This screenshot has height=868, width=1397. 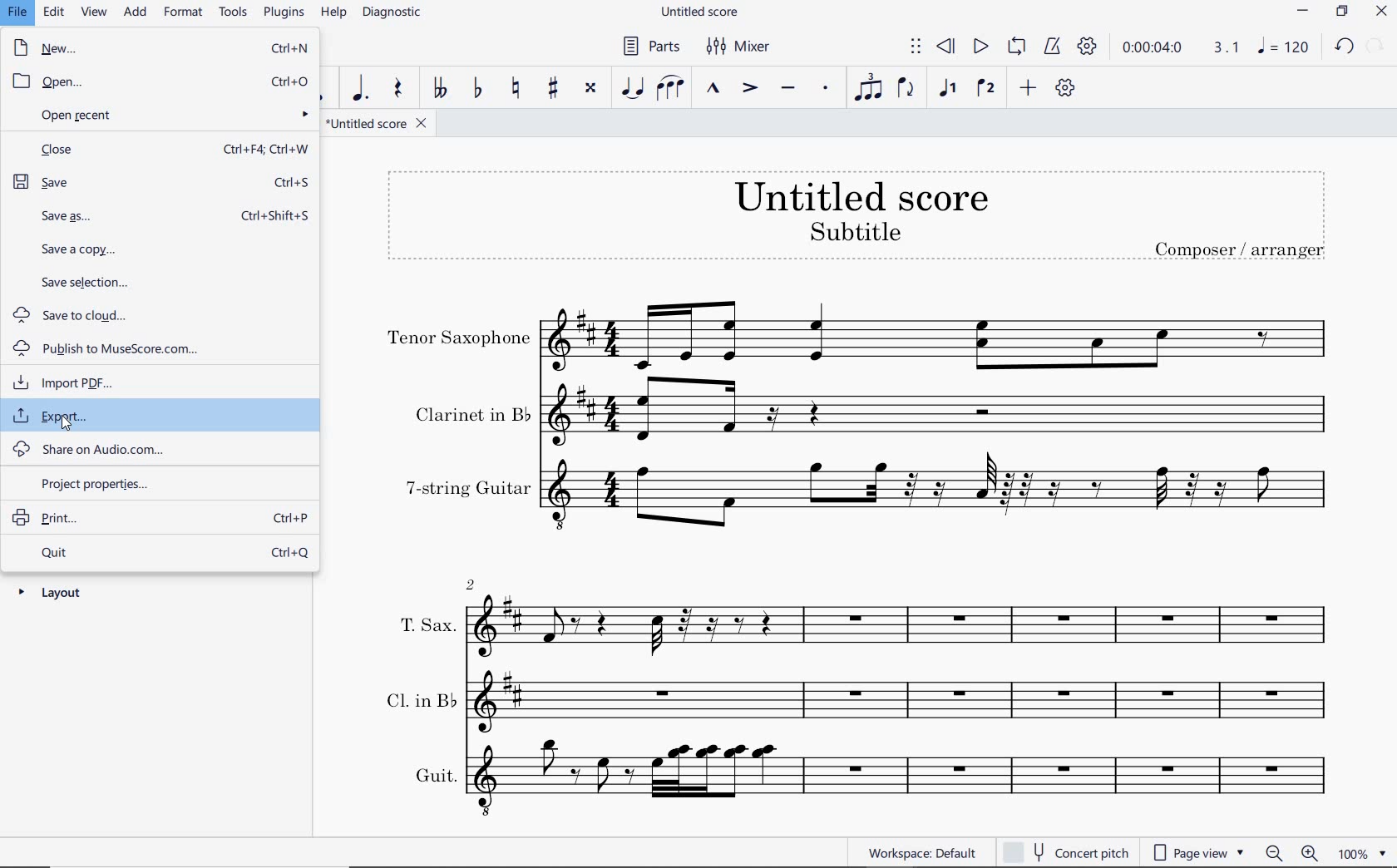 I want to click on PLAYBACK SETTINGS, so click(x=1089, y=48).